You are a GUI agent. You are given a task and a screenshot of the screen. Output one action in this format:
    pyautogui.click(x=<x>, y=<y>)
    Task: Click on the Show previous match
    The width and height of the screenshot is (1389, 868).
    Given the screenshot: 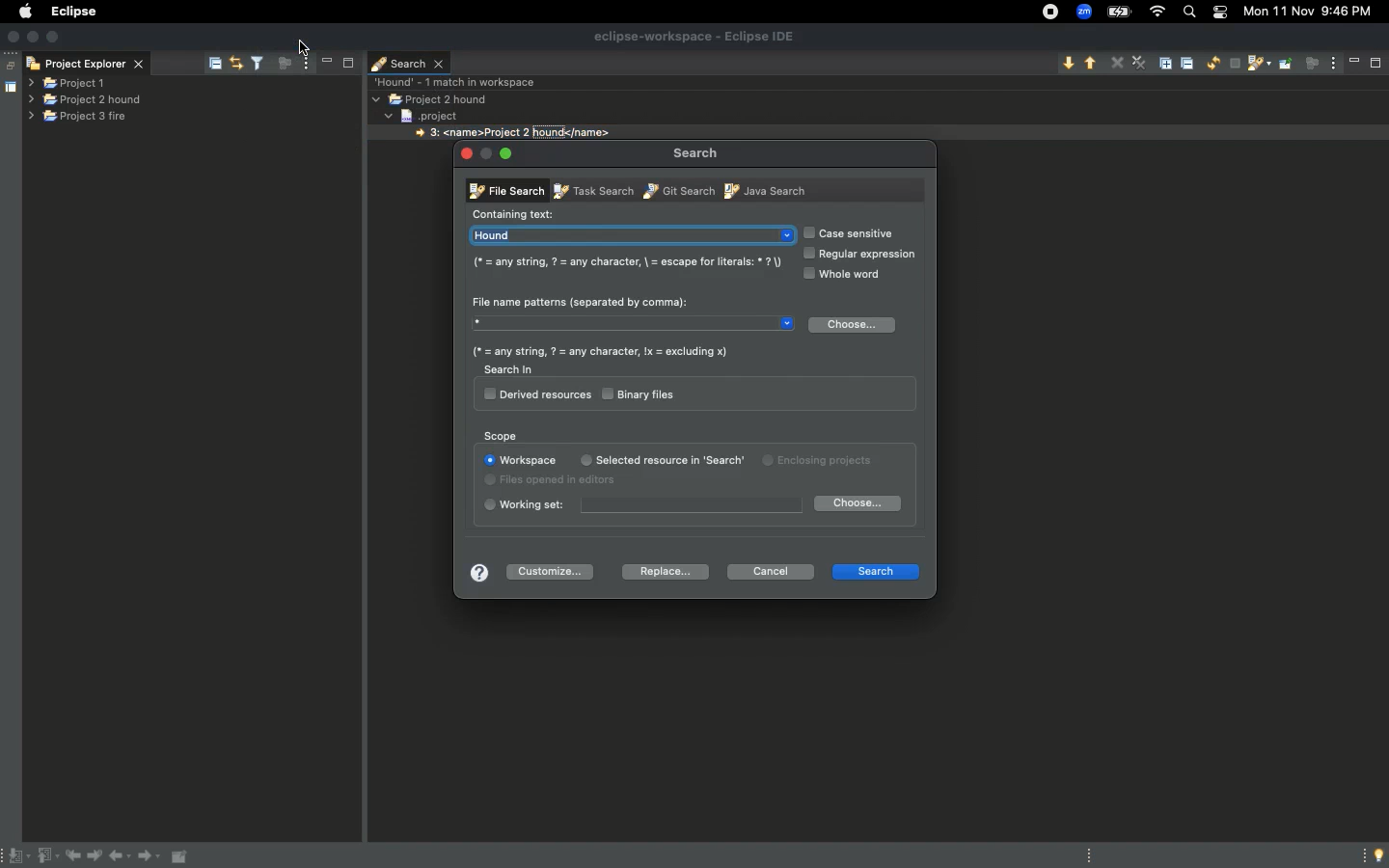 What is the action you would take?
    pyautogui.click(x=1091, y=65)
    